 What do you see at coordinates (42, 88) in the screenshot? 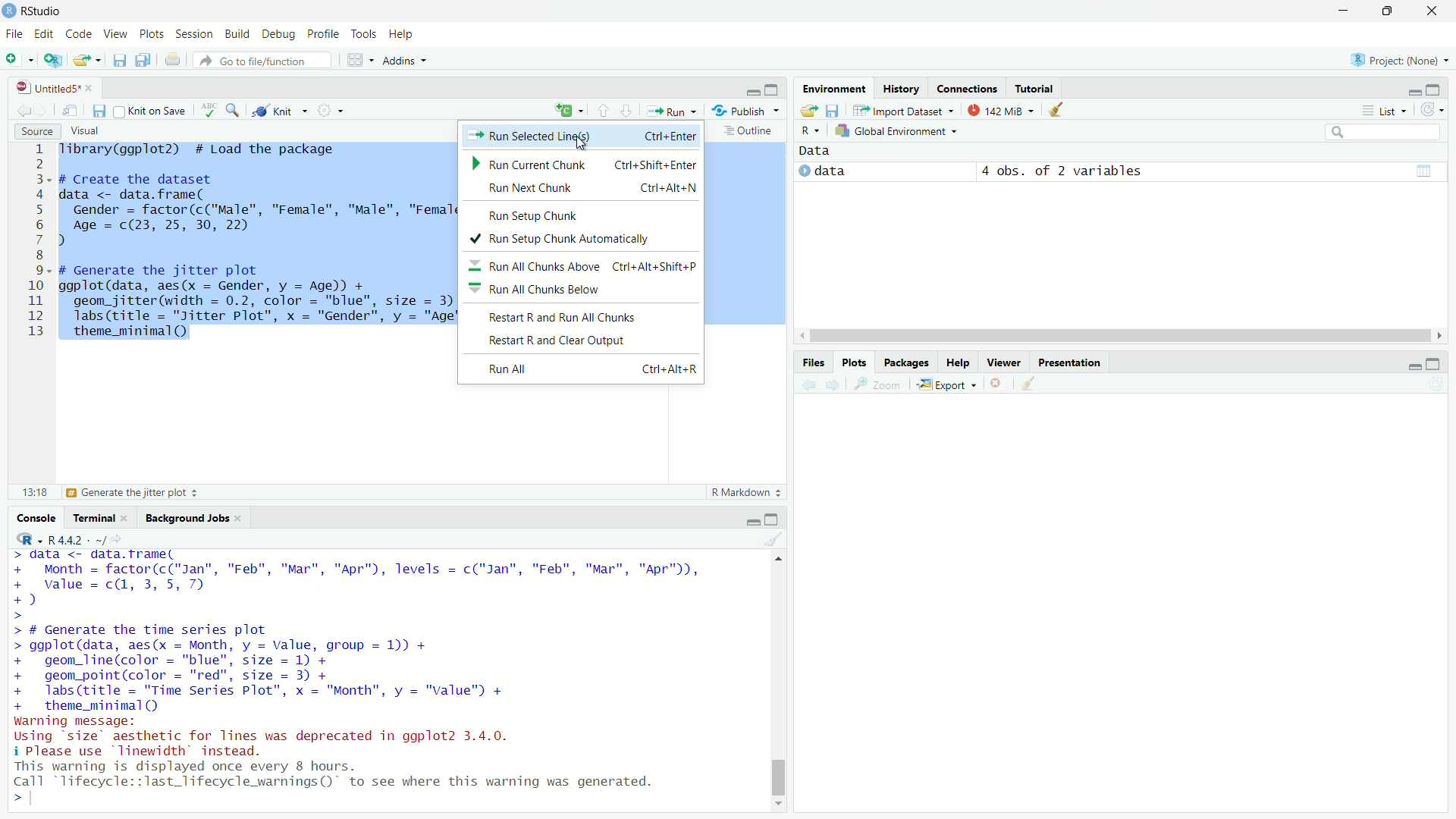
I see `untitled5` at bounding box center [42, 88].